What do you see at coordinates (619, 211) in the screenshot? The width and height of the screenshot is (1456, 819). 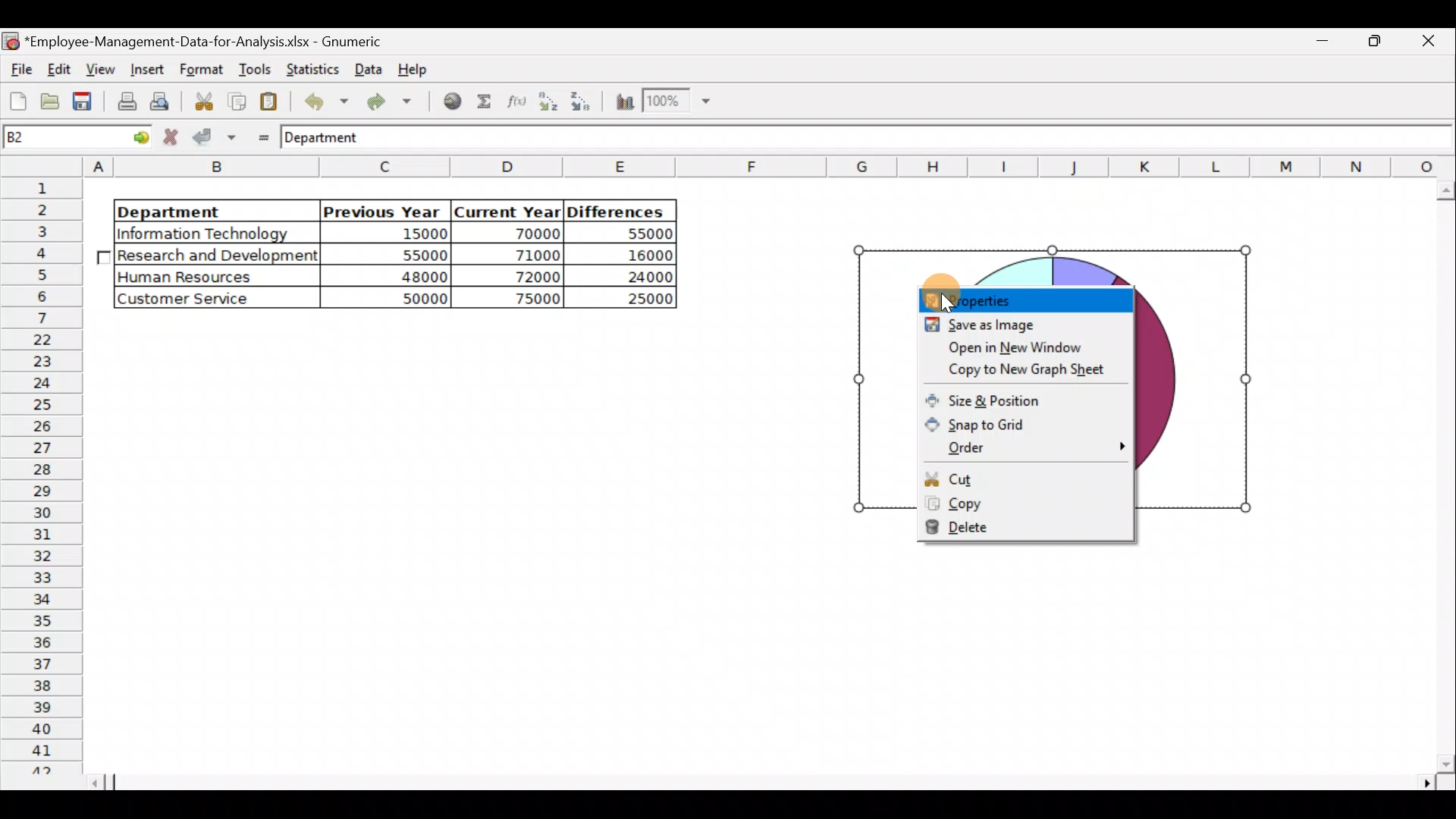 I see `Differences` at bounding box center [619, 211].